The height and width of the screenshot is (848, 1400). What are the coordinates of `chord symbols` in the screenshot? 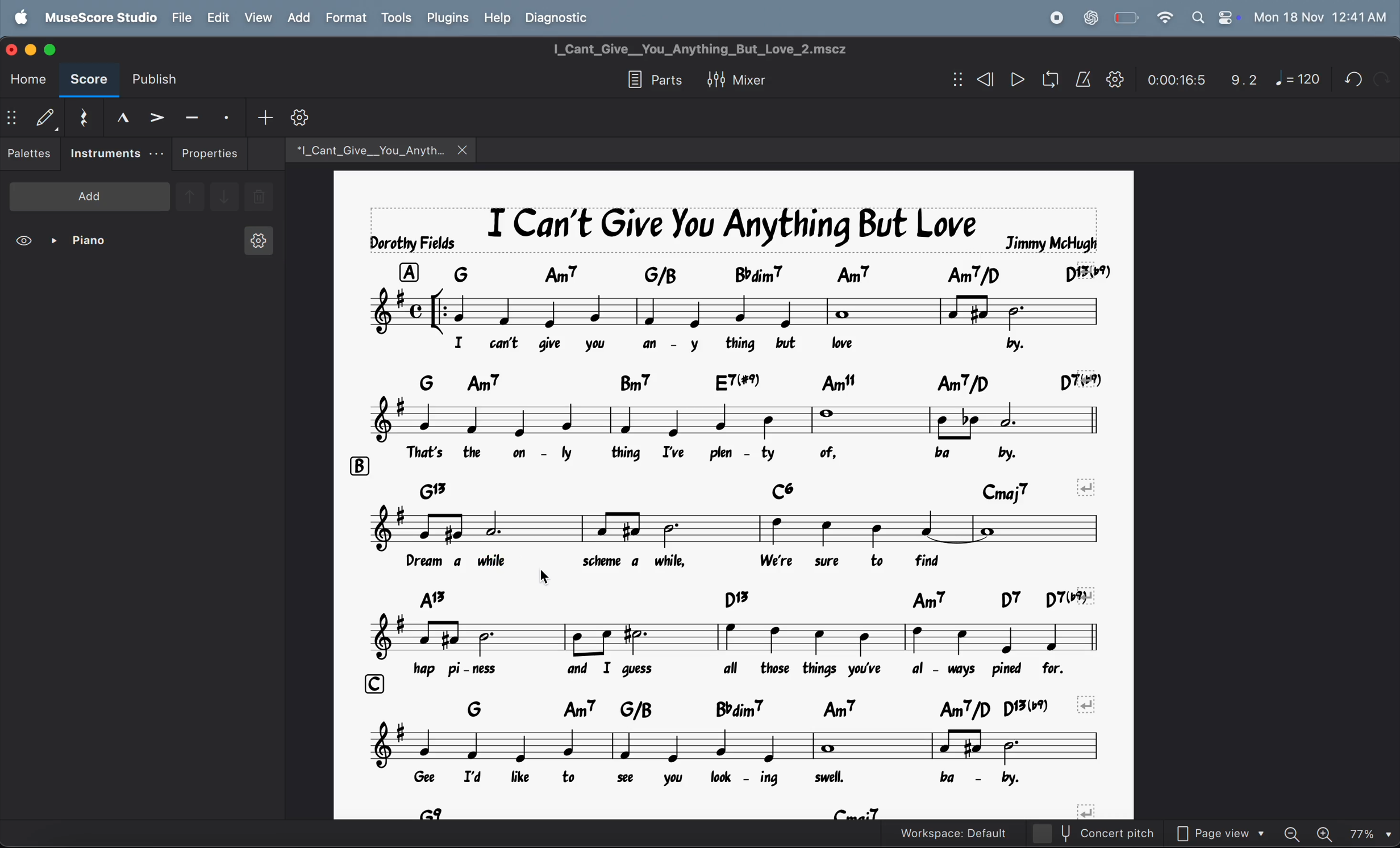 It's located at (755, 382).